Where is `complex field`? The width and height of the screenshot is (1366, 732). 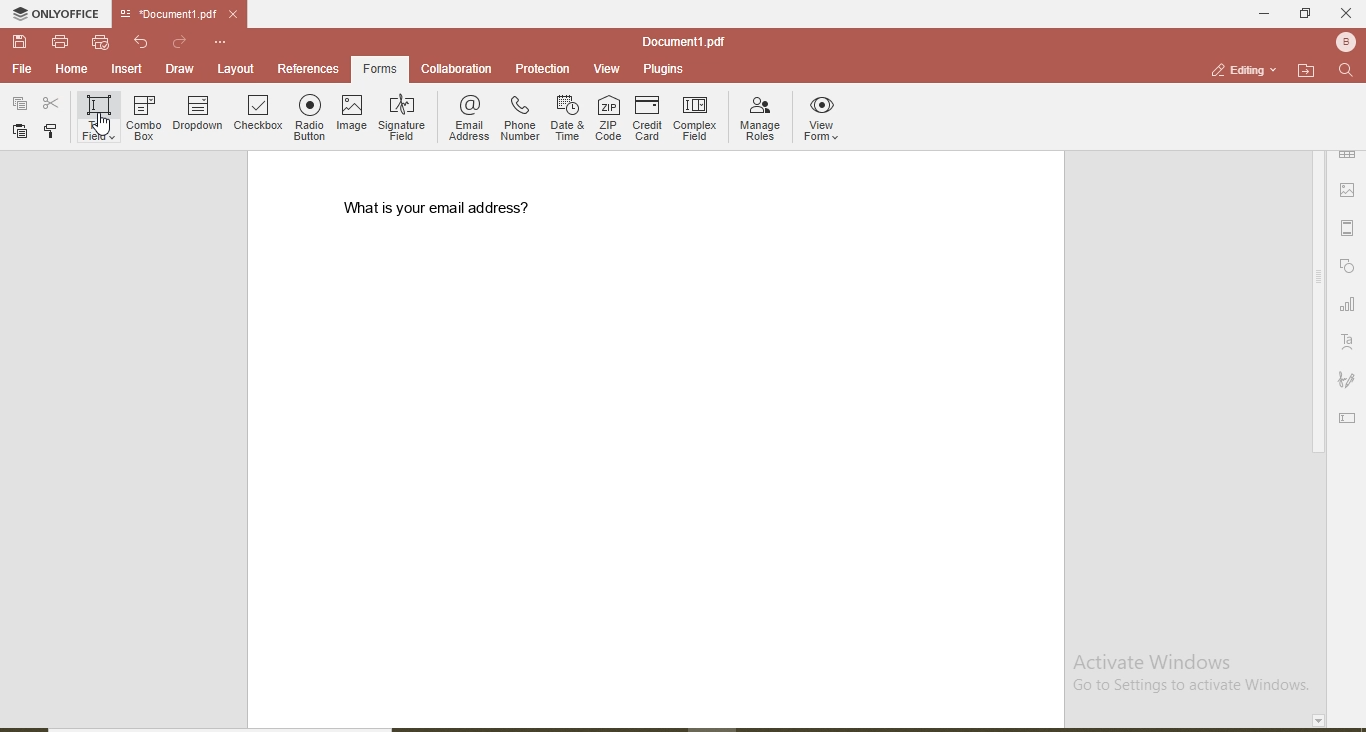 complex field is located at coordinates (697, 118).